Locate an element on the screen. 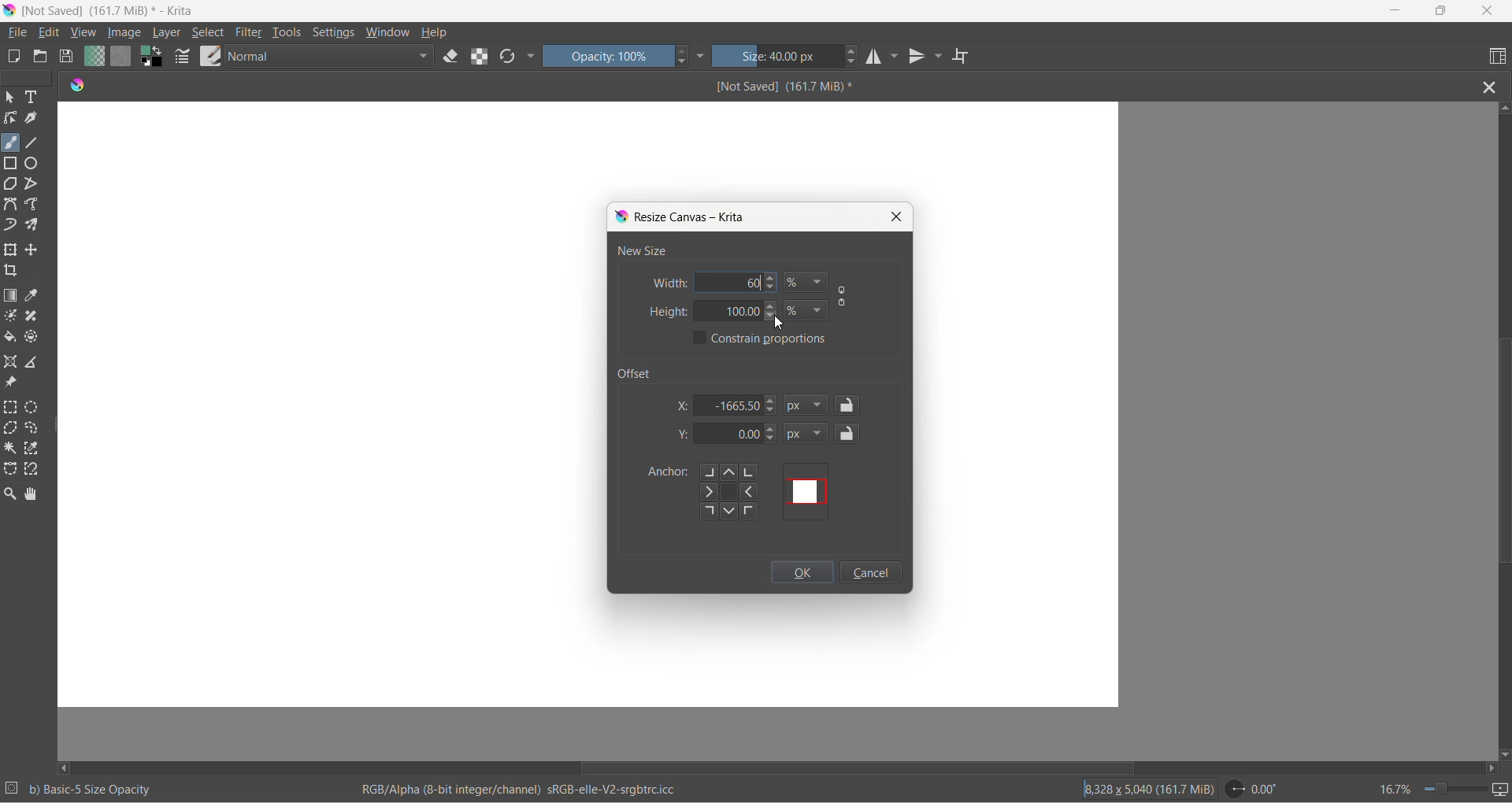  zoom slider is located at coordinates (1448, 789).